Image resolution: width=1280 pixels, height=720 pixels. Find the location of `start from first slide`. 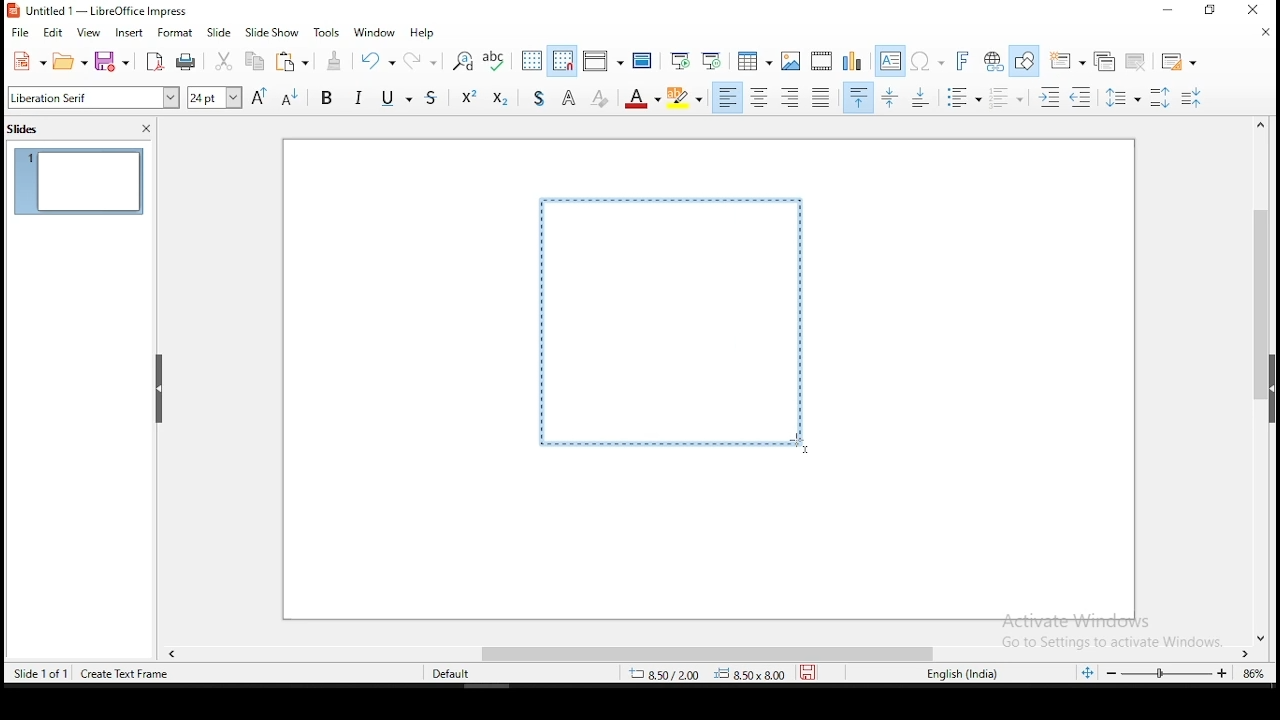

start from first slide is located at coordinates (677, 63).